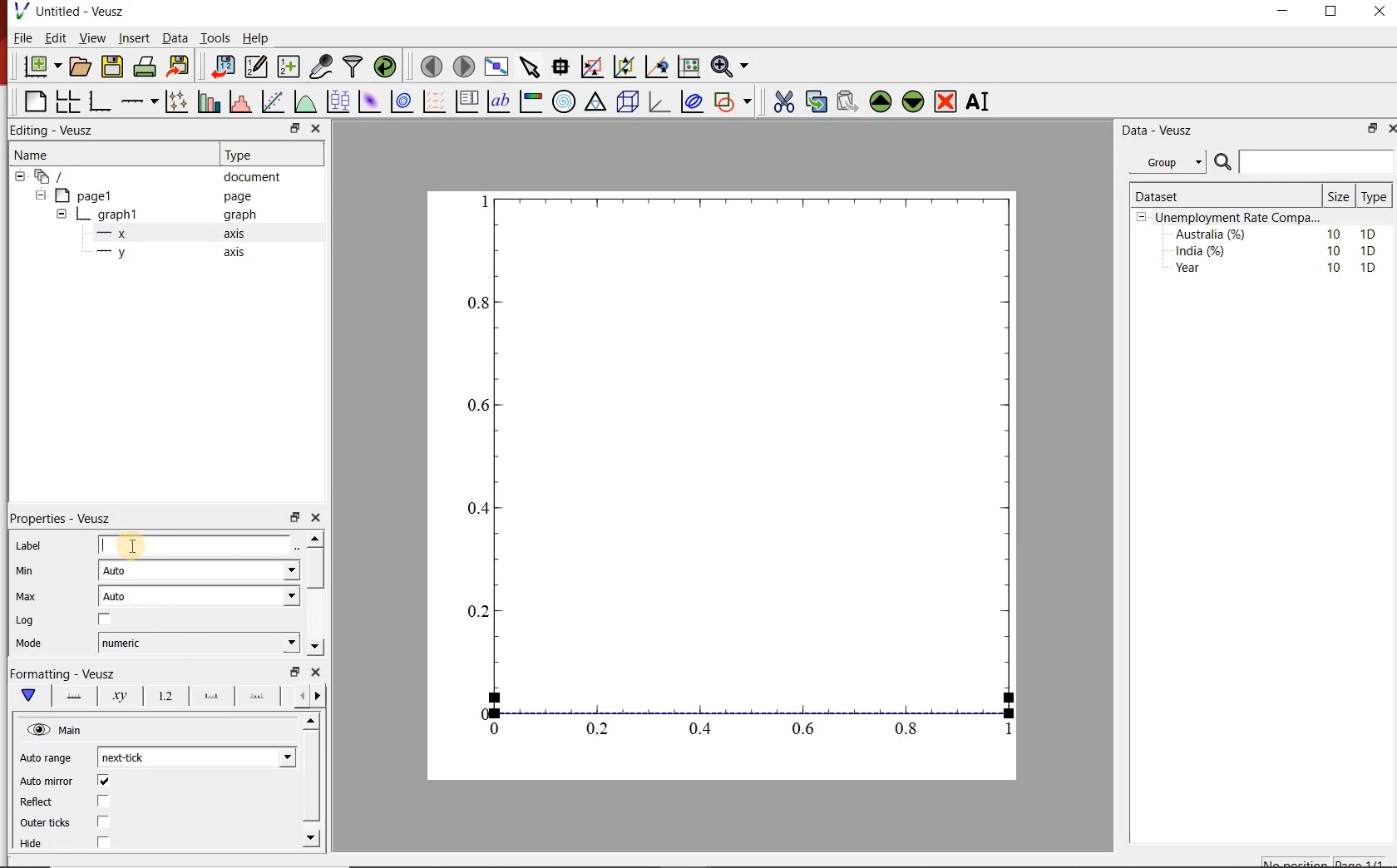  I want to click on maximise, so click(1333, 15).